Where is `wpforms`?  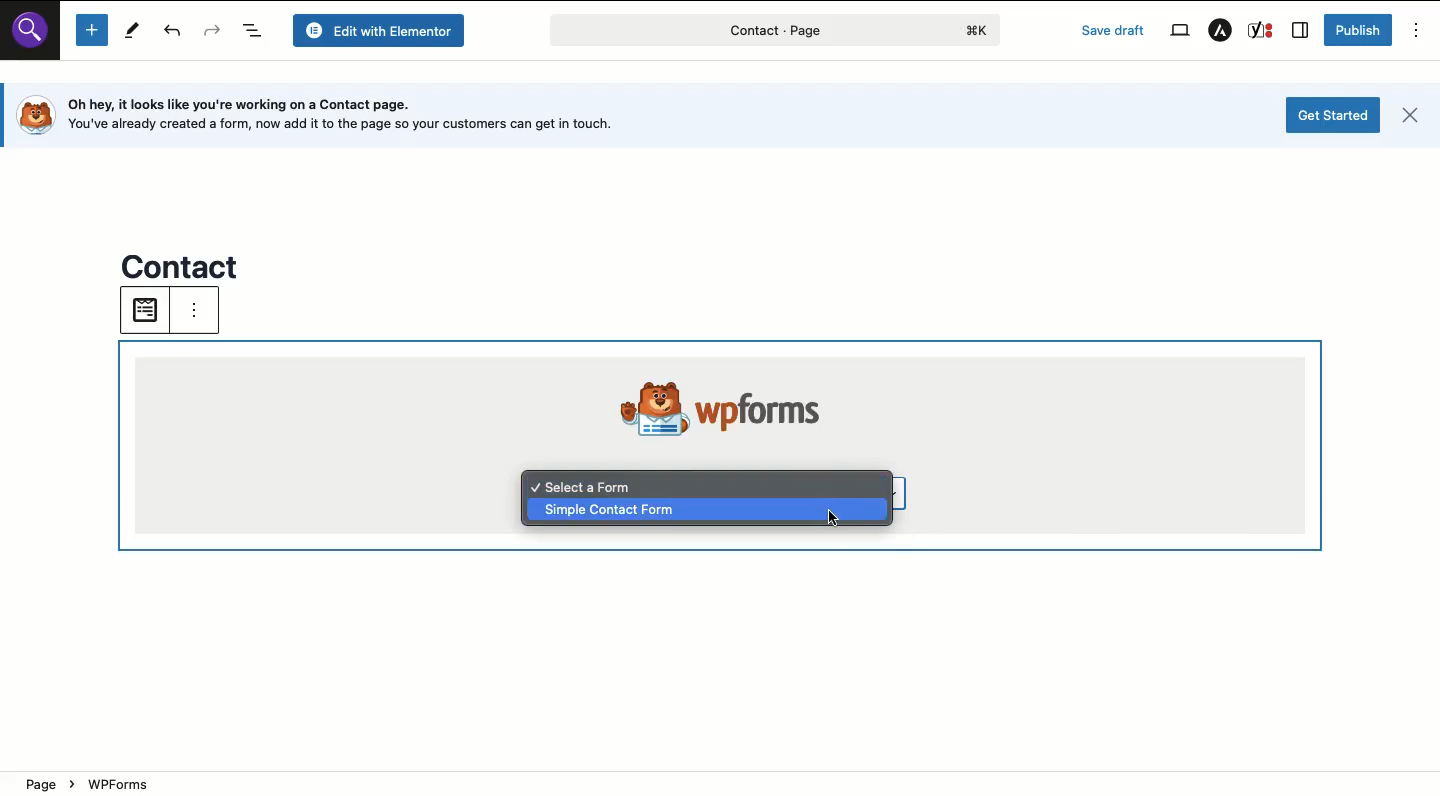
wpforms is located at coordinates (776, 407).